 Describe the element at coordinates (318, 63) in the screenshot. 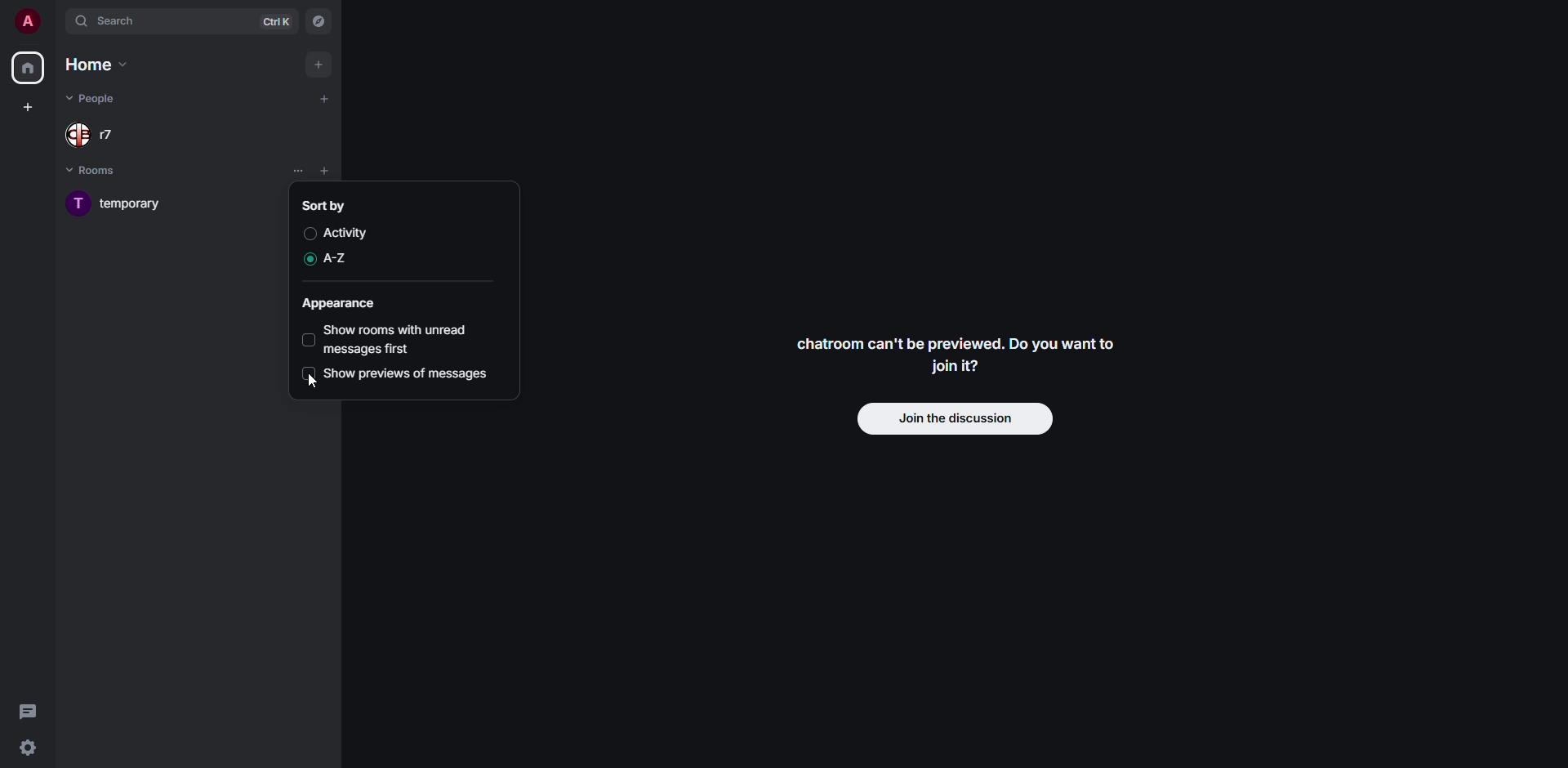

I see `add` at that location.